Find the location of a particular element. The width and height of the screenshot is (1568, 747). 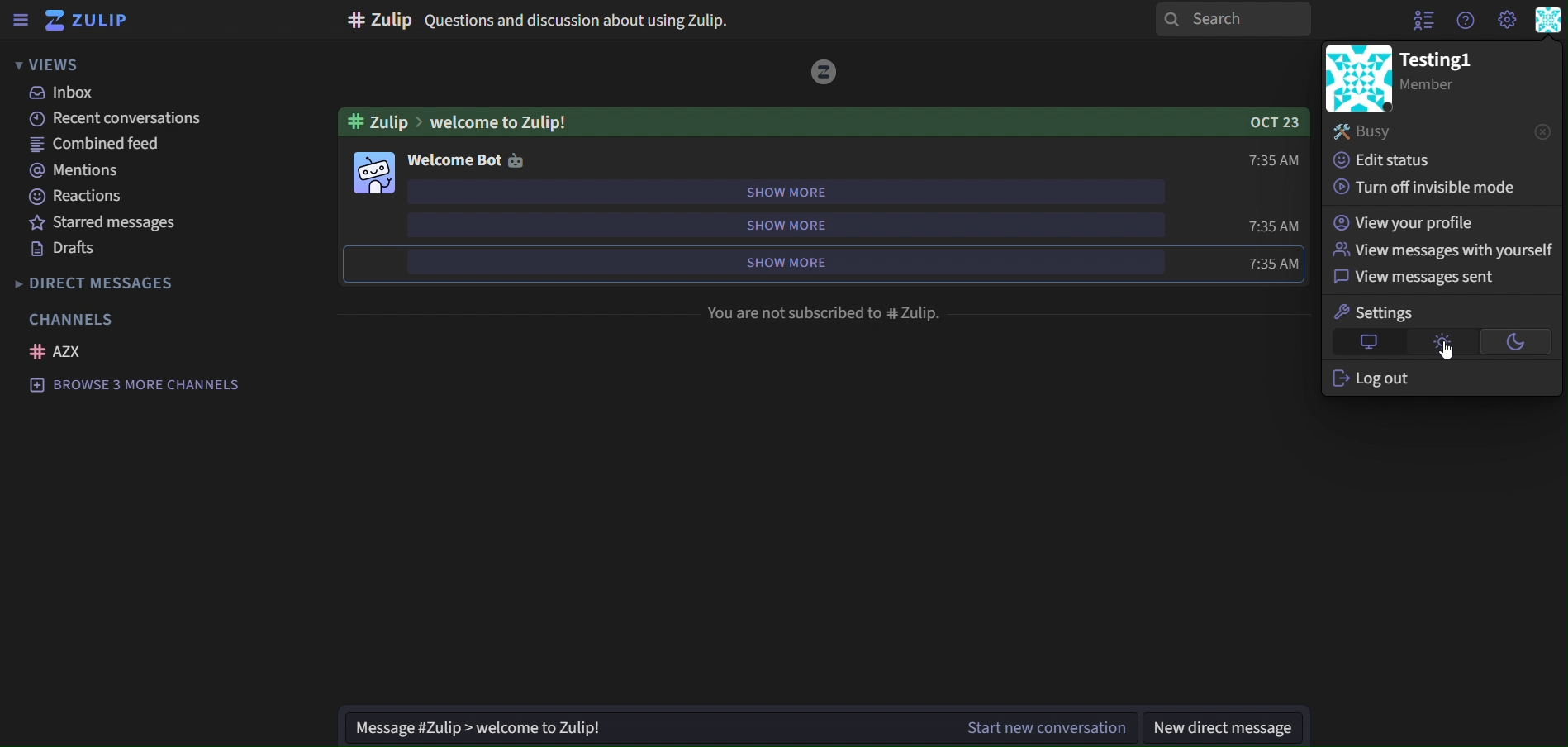

direct messages is located at coordinates (123, 284).